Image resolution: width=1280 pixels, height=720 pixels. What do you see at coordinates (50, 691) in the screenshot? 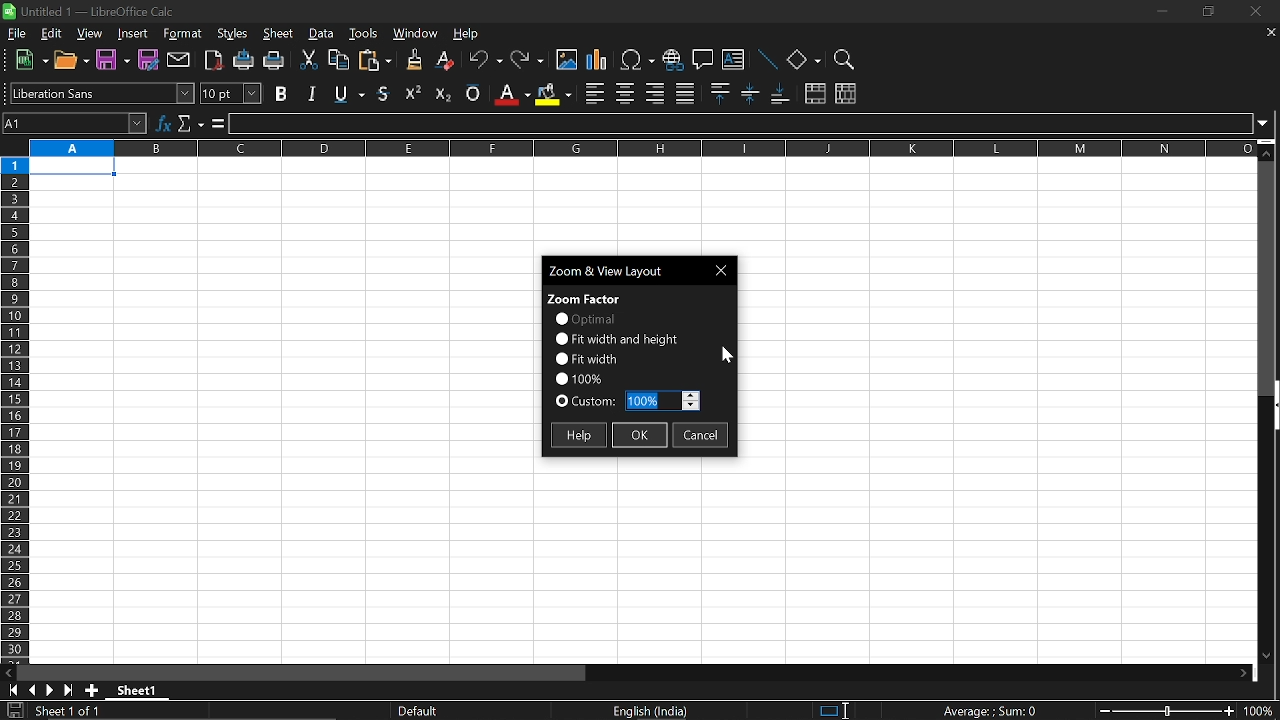
I see `next page` at bounding box center [50, 691].